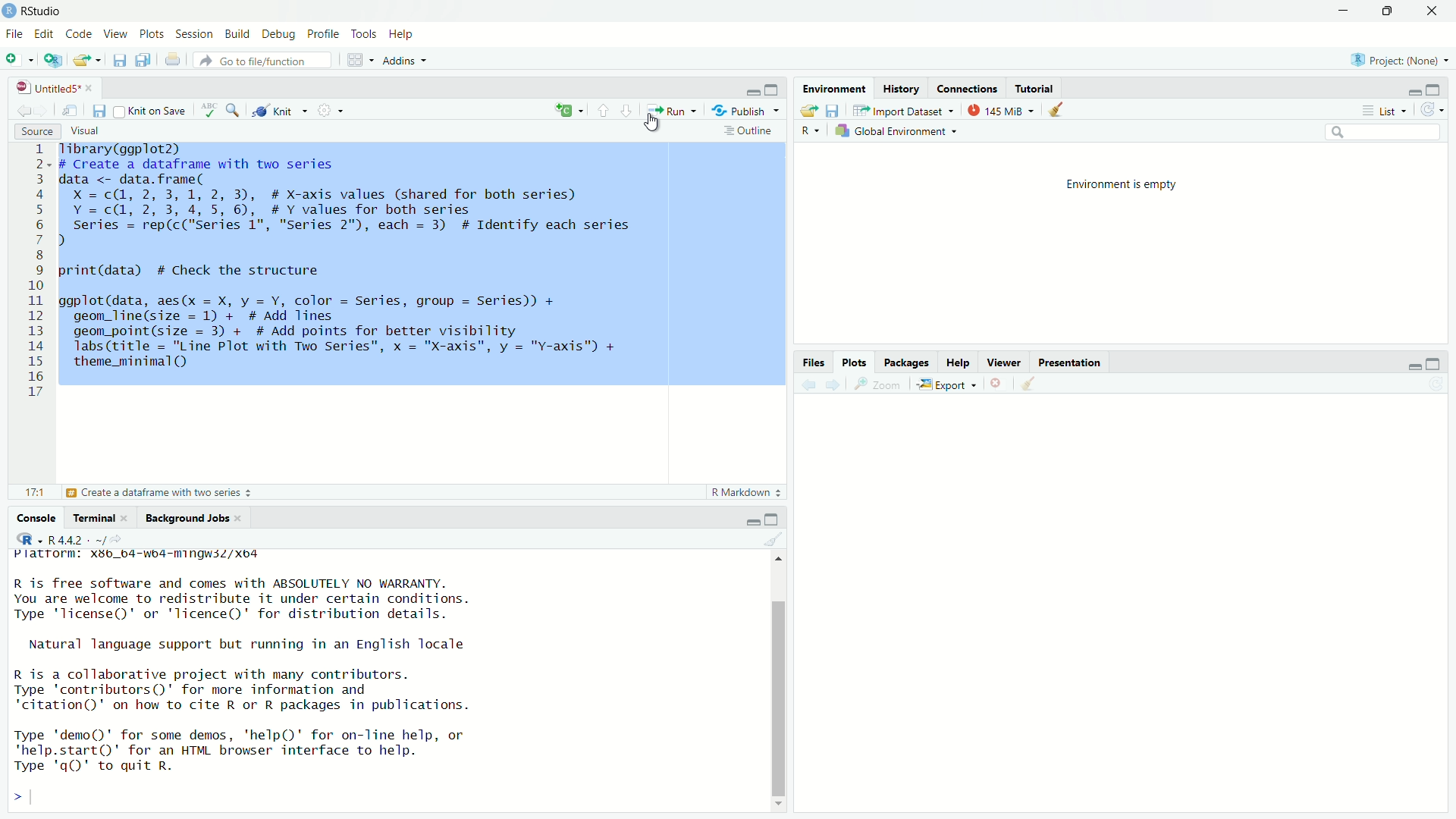  I want to click on Run the current line or selection, so click(670, 110).